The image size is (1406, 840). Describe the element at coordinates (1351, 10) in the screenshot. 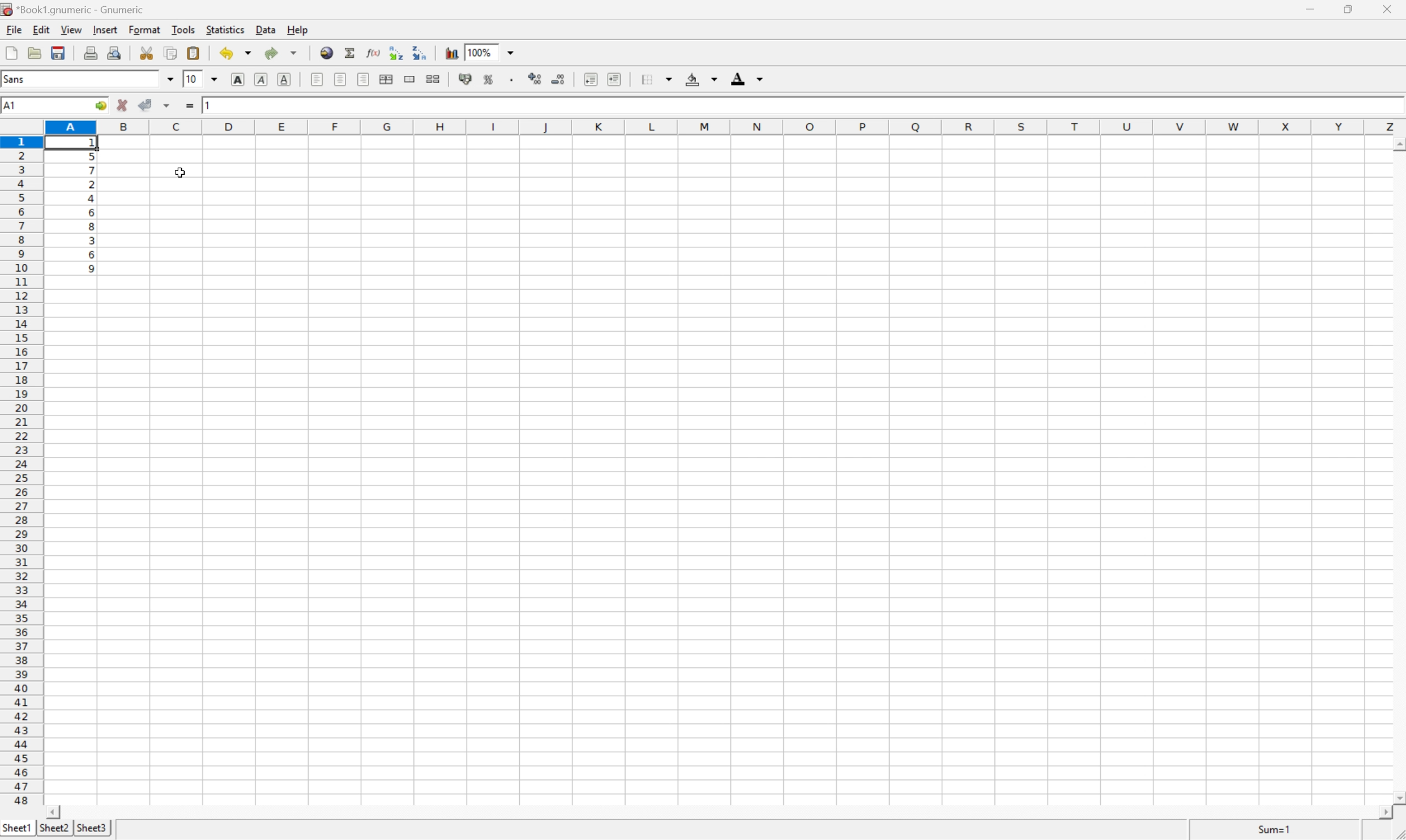

I see `restore down` at that location.